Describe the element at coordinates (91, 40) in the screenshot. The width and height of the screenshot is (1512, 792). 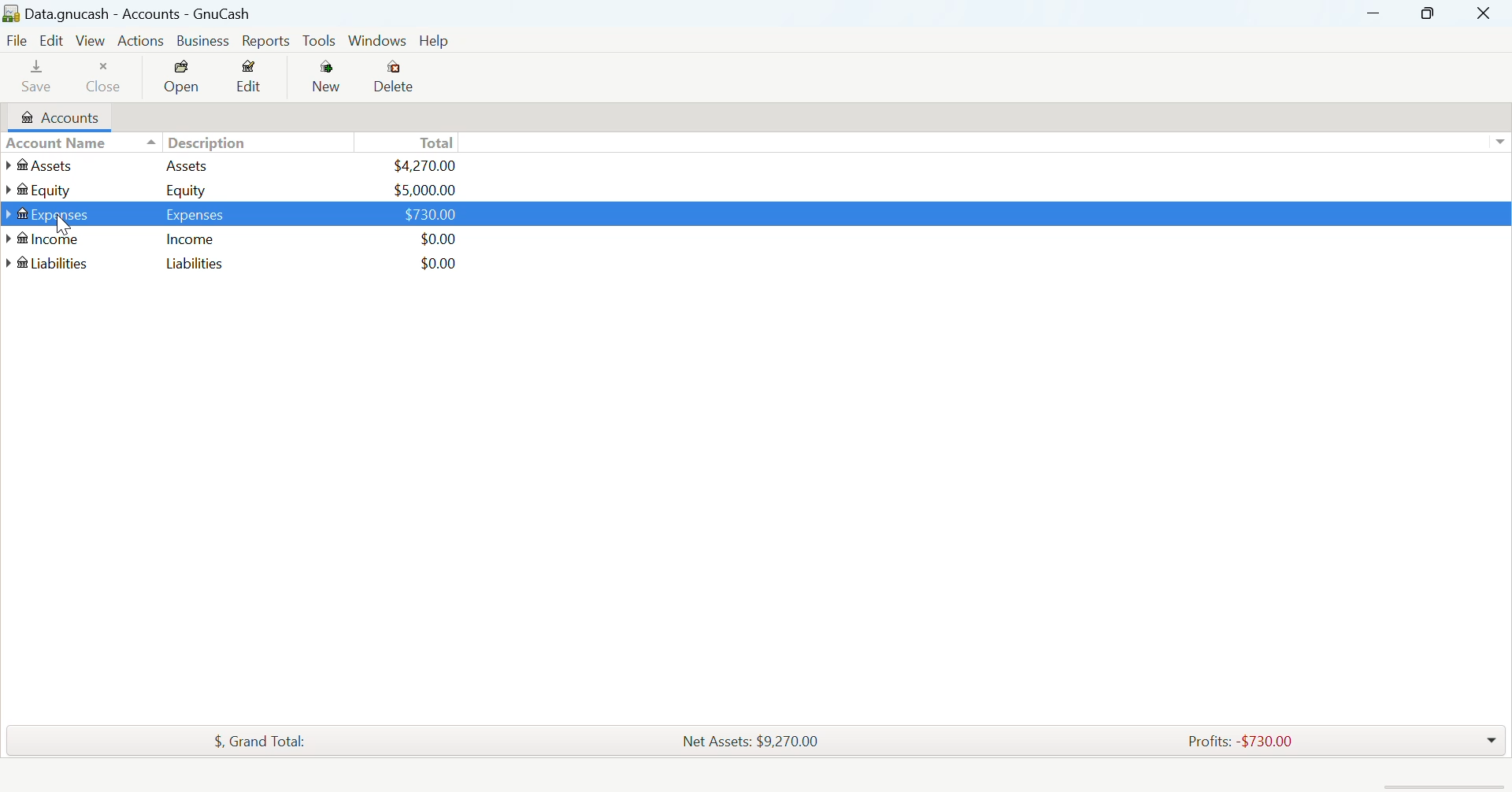
I see `View` at that location.